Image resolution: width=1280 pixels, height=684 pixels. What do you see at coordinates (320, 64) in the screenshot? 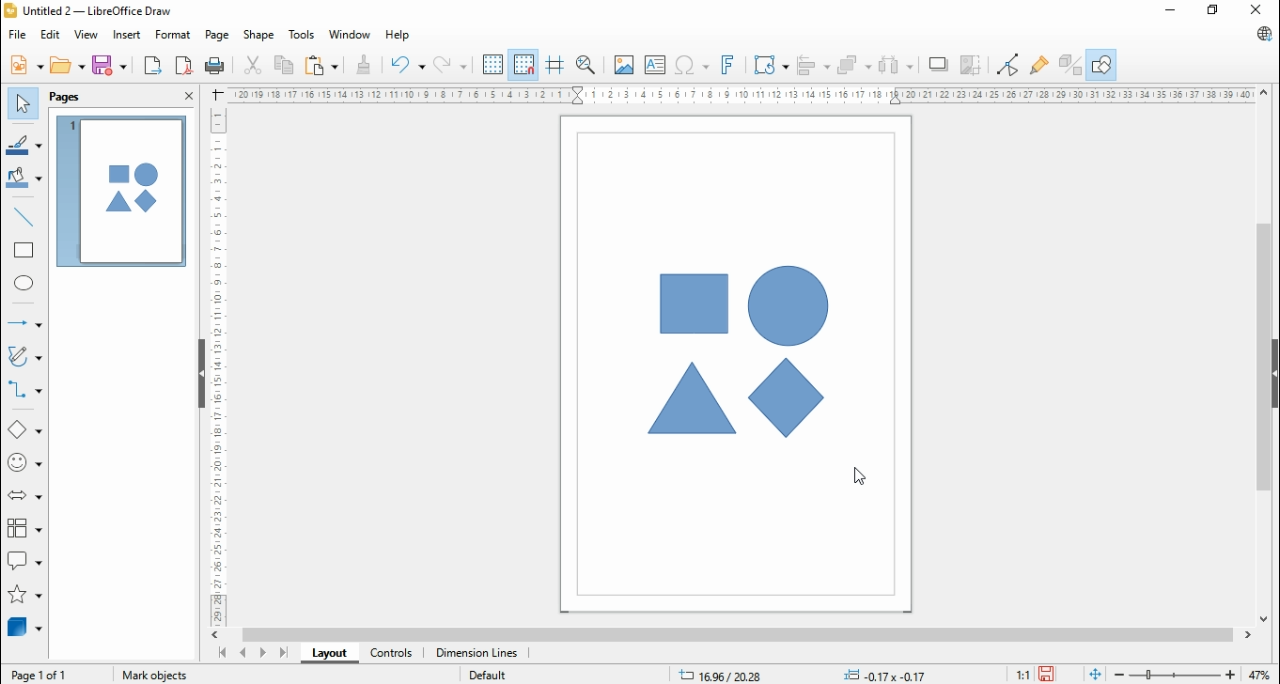
I see `paste` at bounding box center [320, 64].